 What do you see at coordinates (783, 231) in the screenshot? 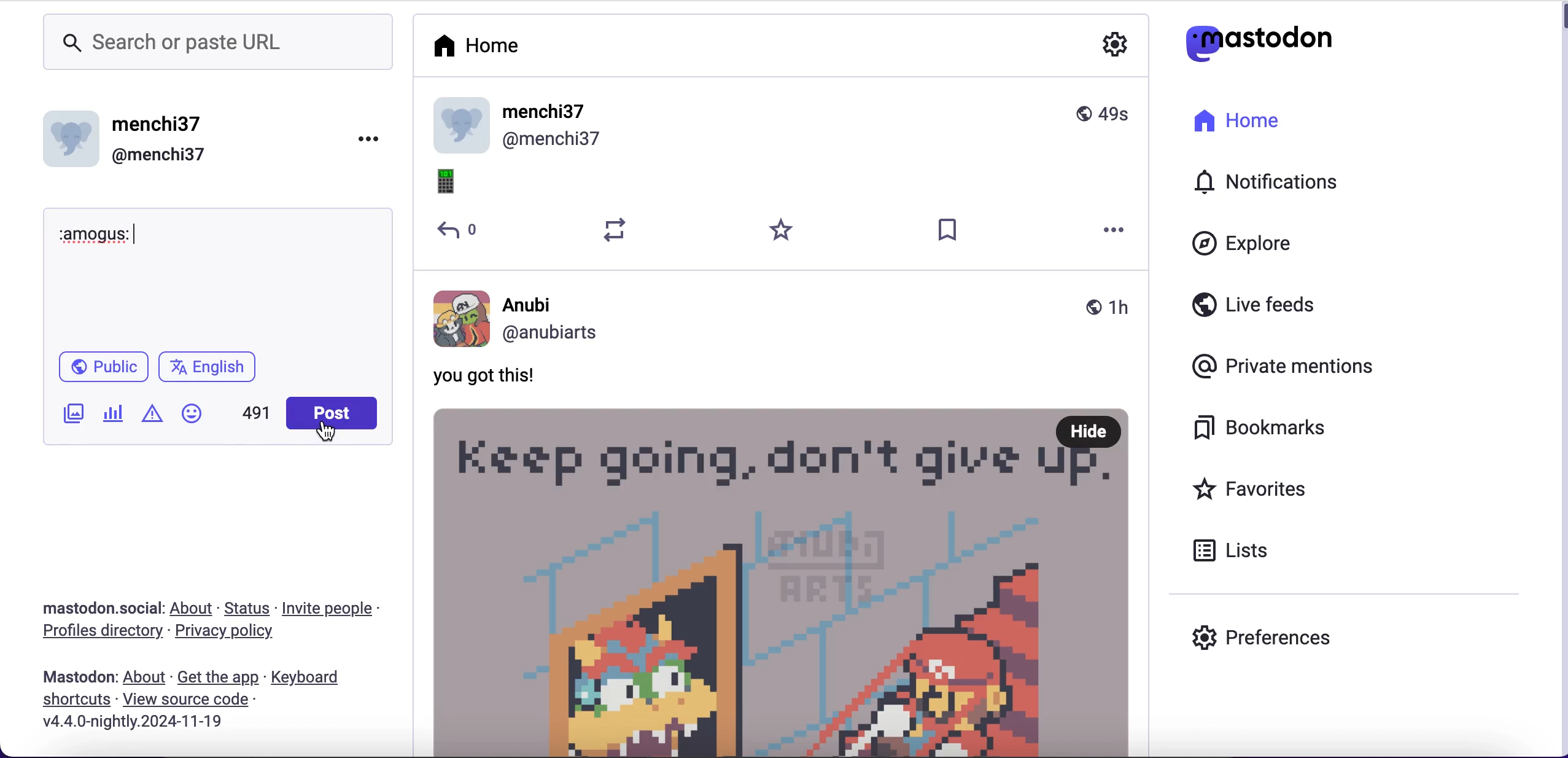
I see `favorites` at bounding box center [783, 231].